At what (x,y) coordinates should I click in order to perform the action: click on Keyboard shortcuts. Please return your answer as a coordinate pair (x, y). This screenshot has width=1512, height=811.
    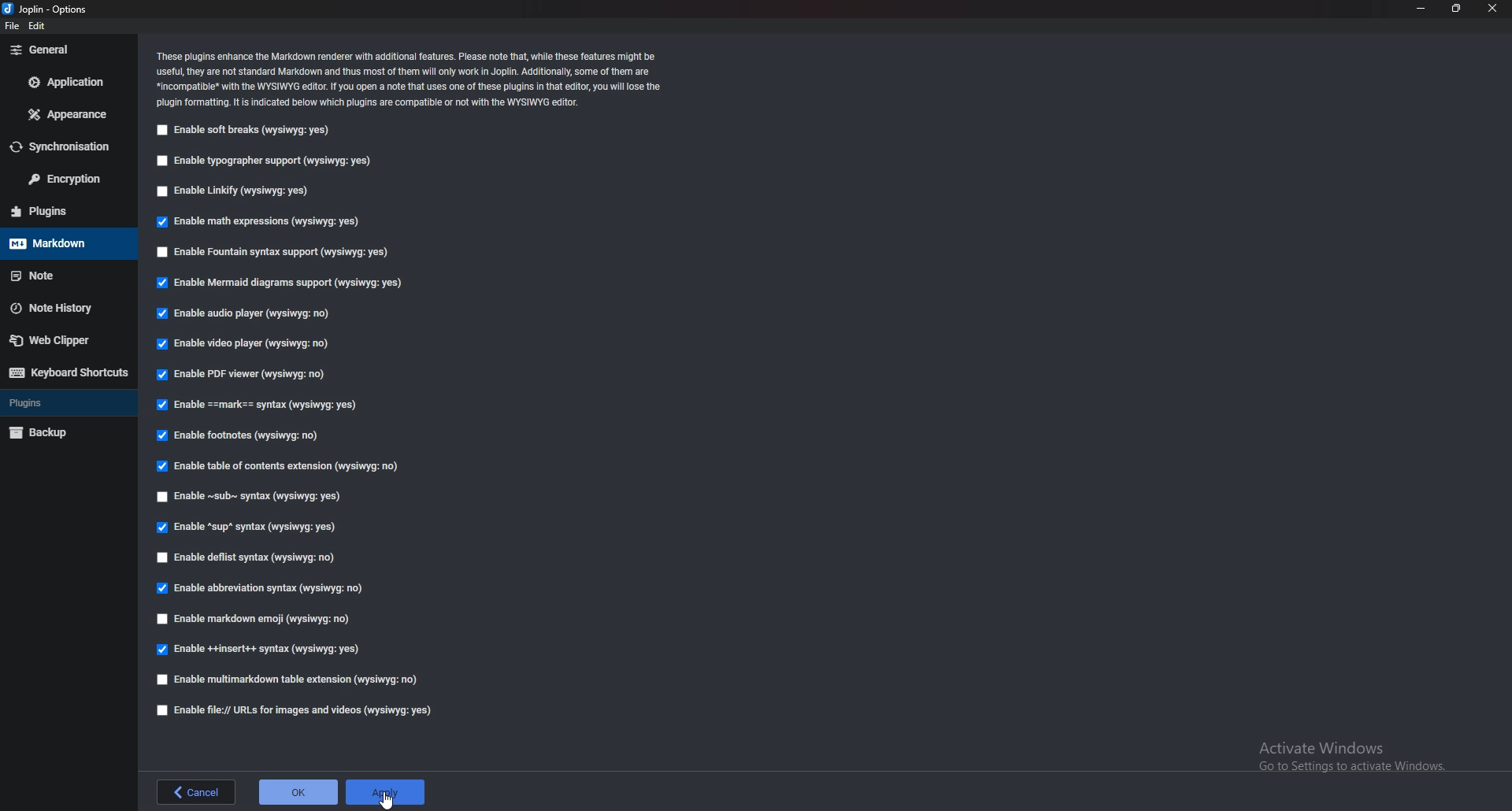
    Looking at the image, I should click on (68, 372).